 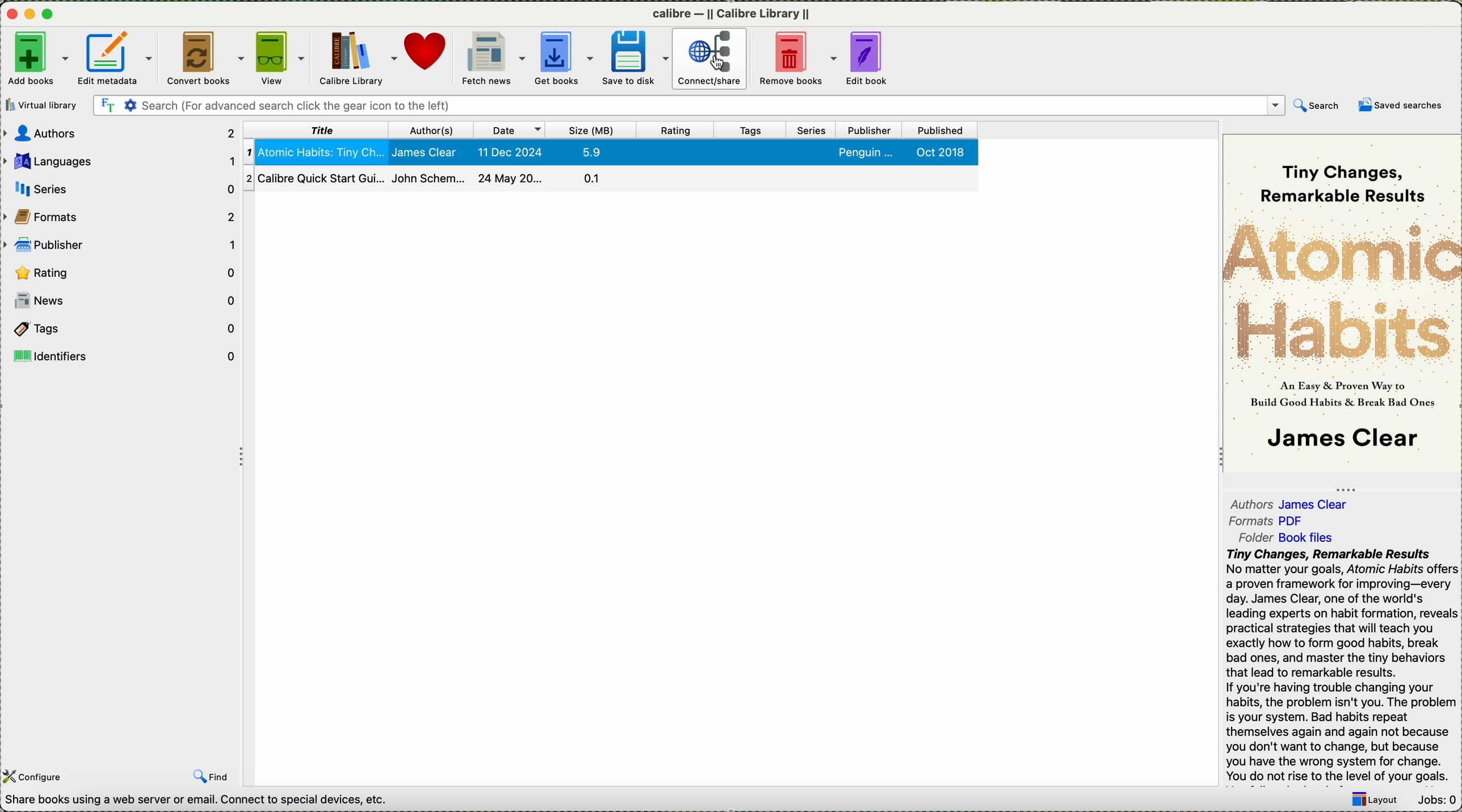 What do you see at coordinates (494, 58) in the screenshot?
I see `fetch news` at bounding box center [494, 58].